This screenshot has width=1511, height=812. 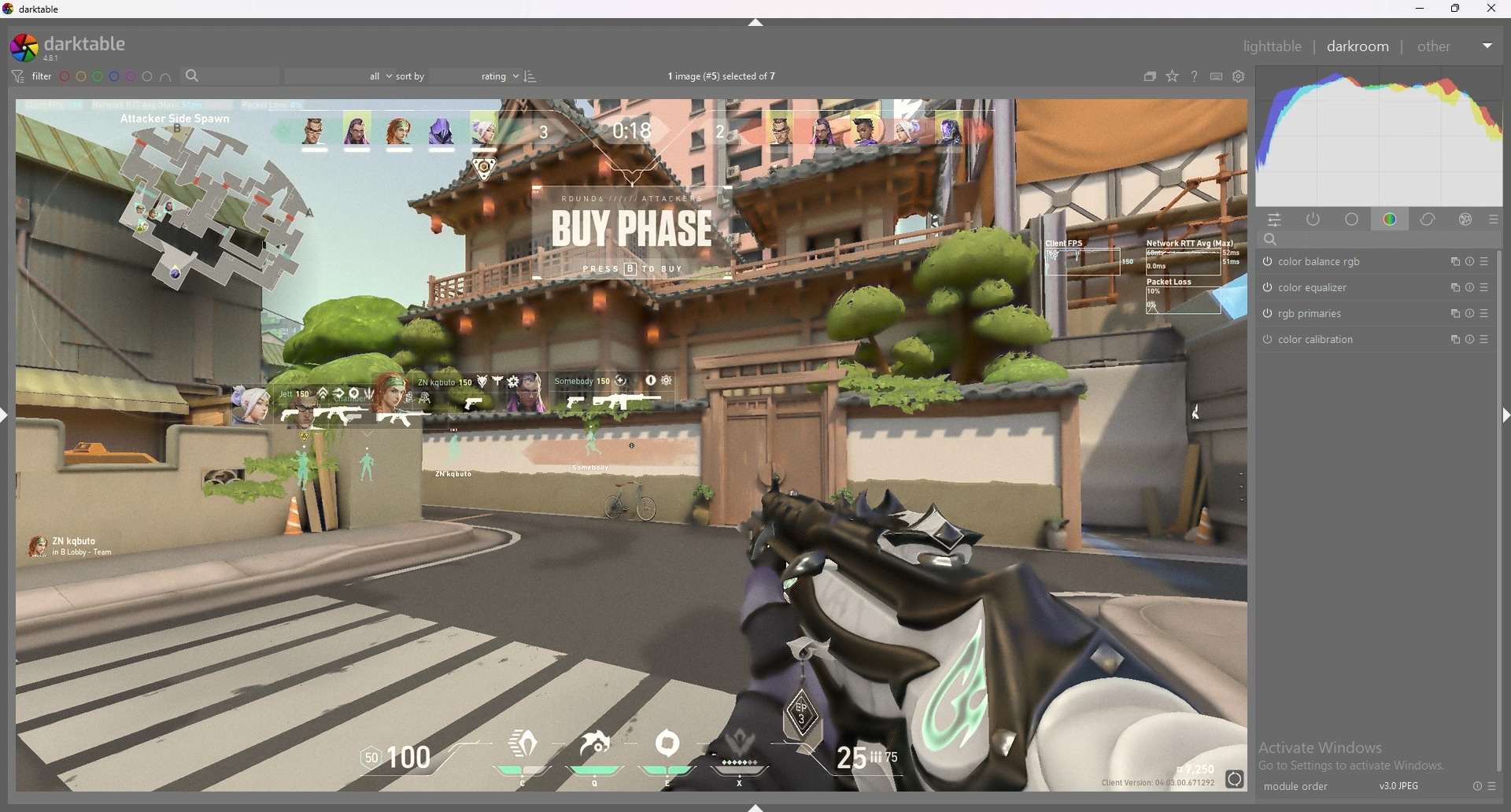 What do you see at coordinates (1420, 9) in the screenshot?
I see `minimize` at bounding box center [1420, 9].